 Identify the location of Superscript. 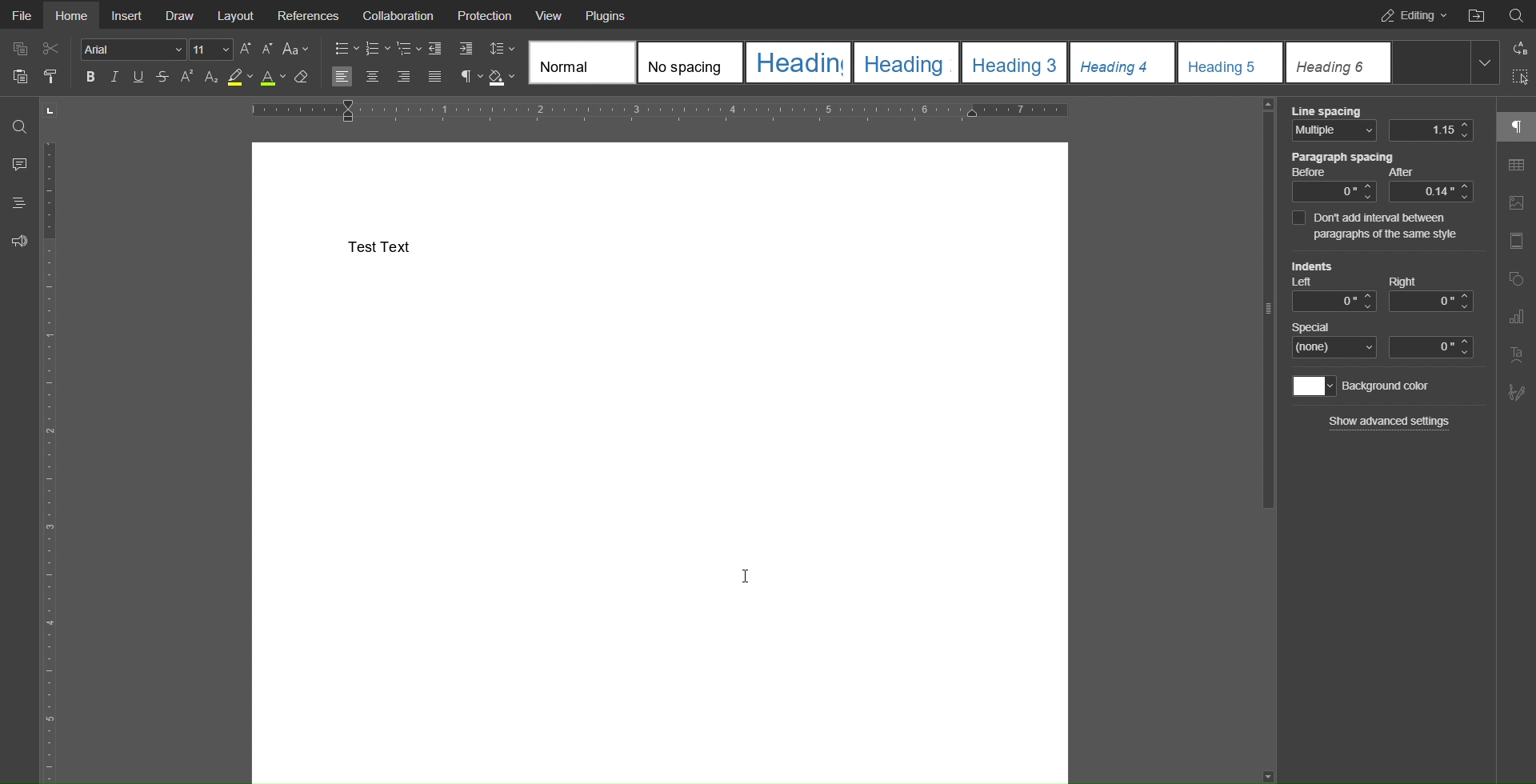
(186, 78).